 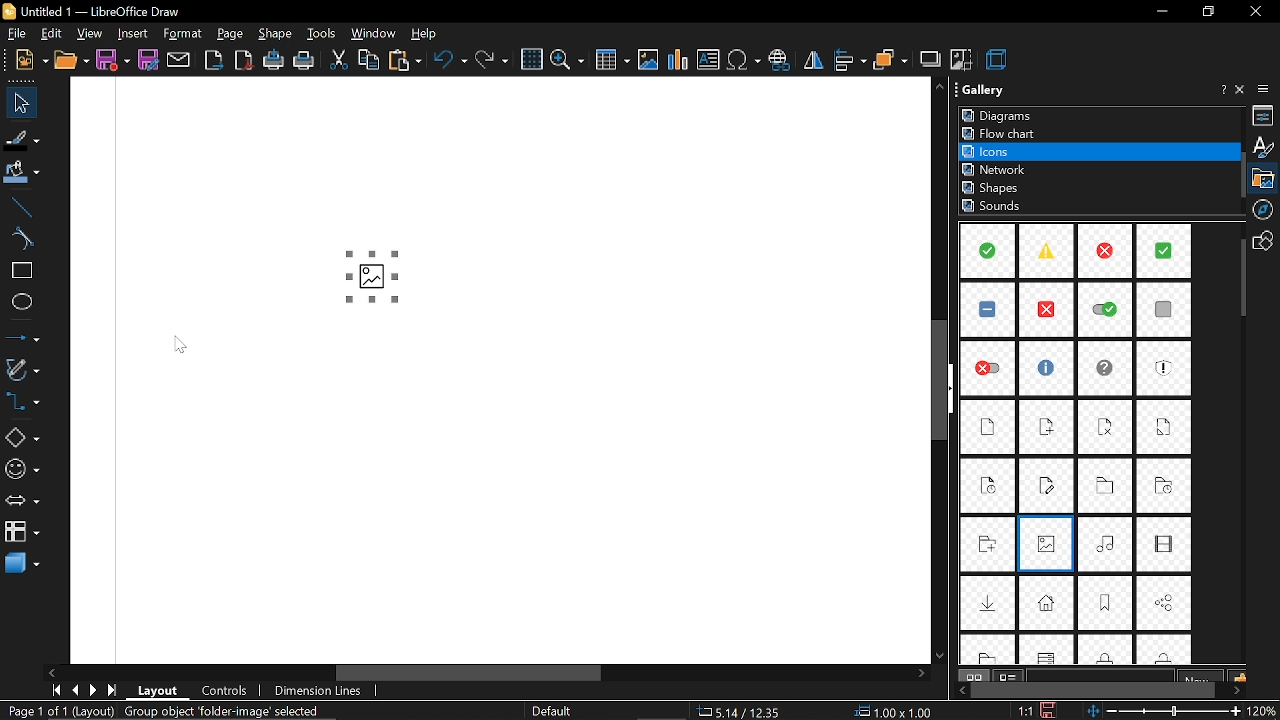 I want to click on open, so click(x=71, y=60).